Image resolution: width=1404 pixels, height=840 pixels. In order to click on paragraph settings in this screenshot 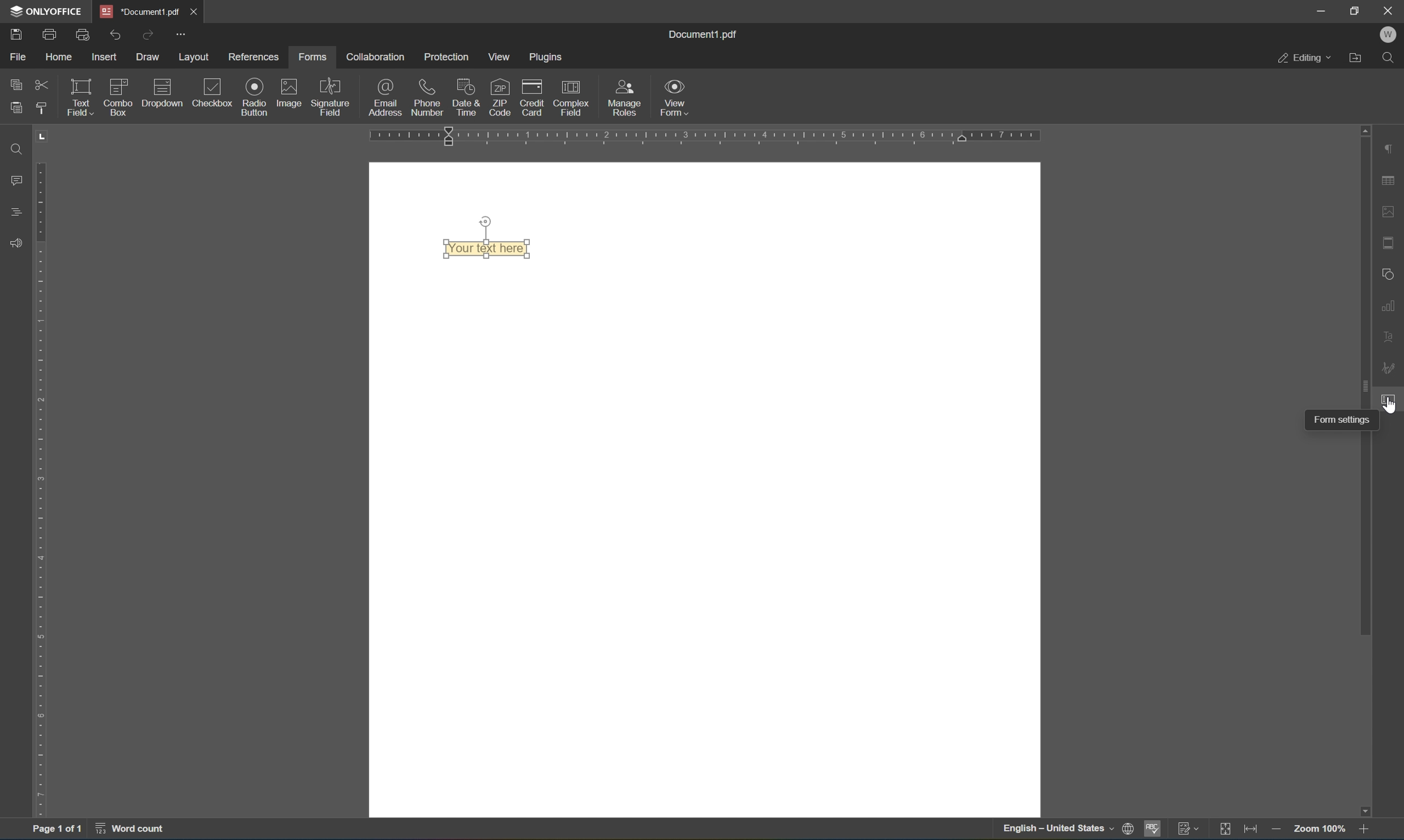, I will do `click(1392, 149)`.